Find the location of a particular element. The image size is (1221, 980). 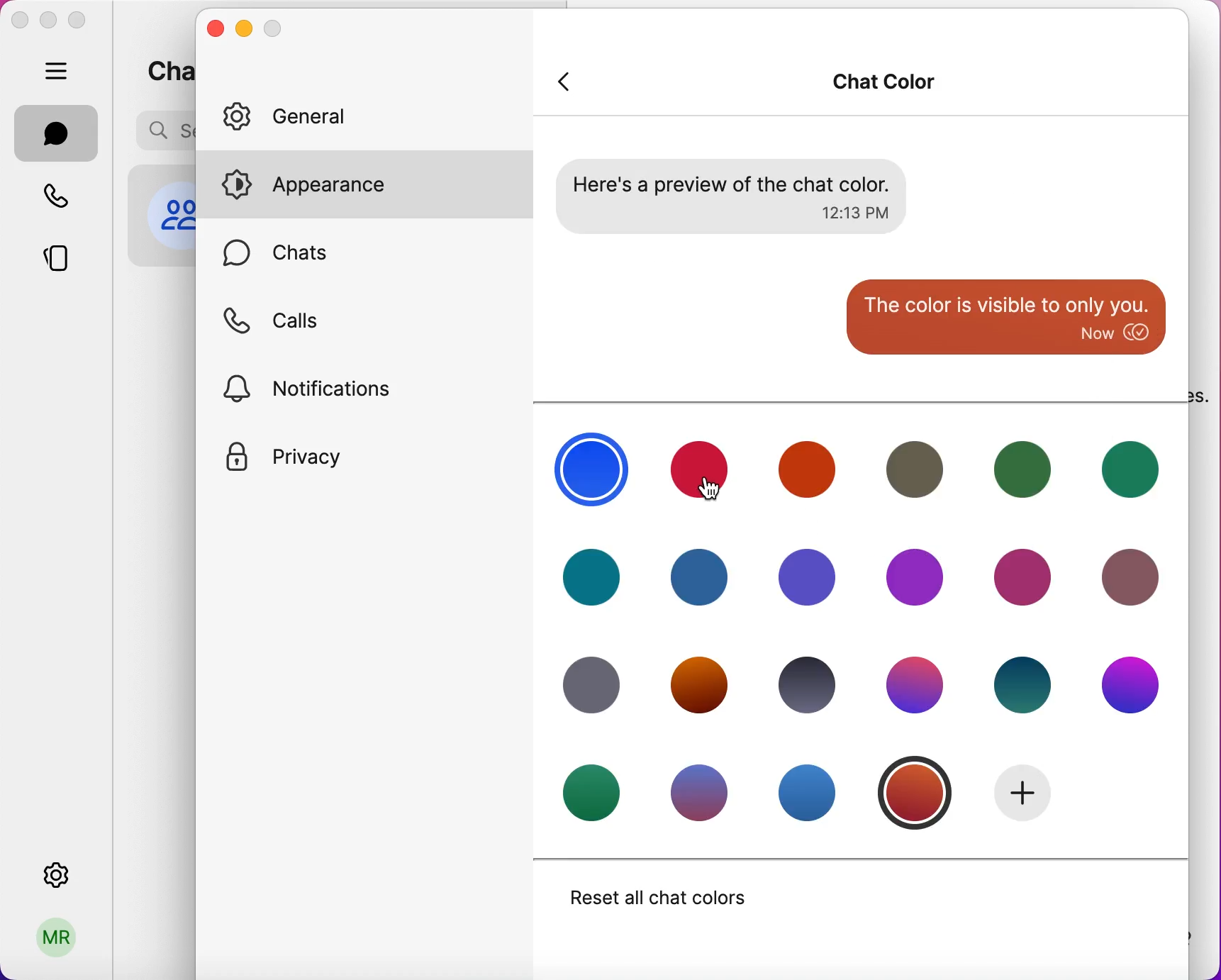

add new color is located at coordinates (1026, 788).